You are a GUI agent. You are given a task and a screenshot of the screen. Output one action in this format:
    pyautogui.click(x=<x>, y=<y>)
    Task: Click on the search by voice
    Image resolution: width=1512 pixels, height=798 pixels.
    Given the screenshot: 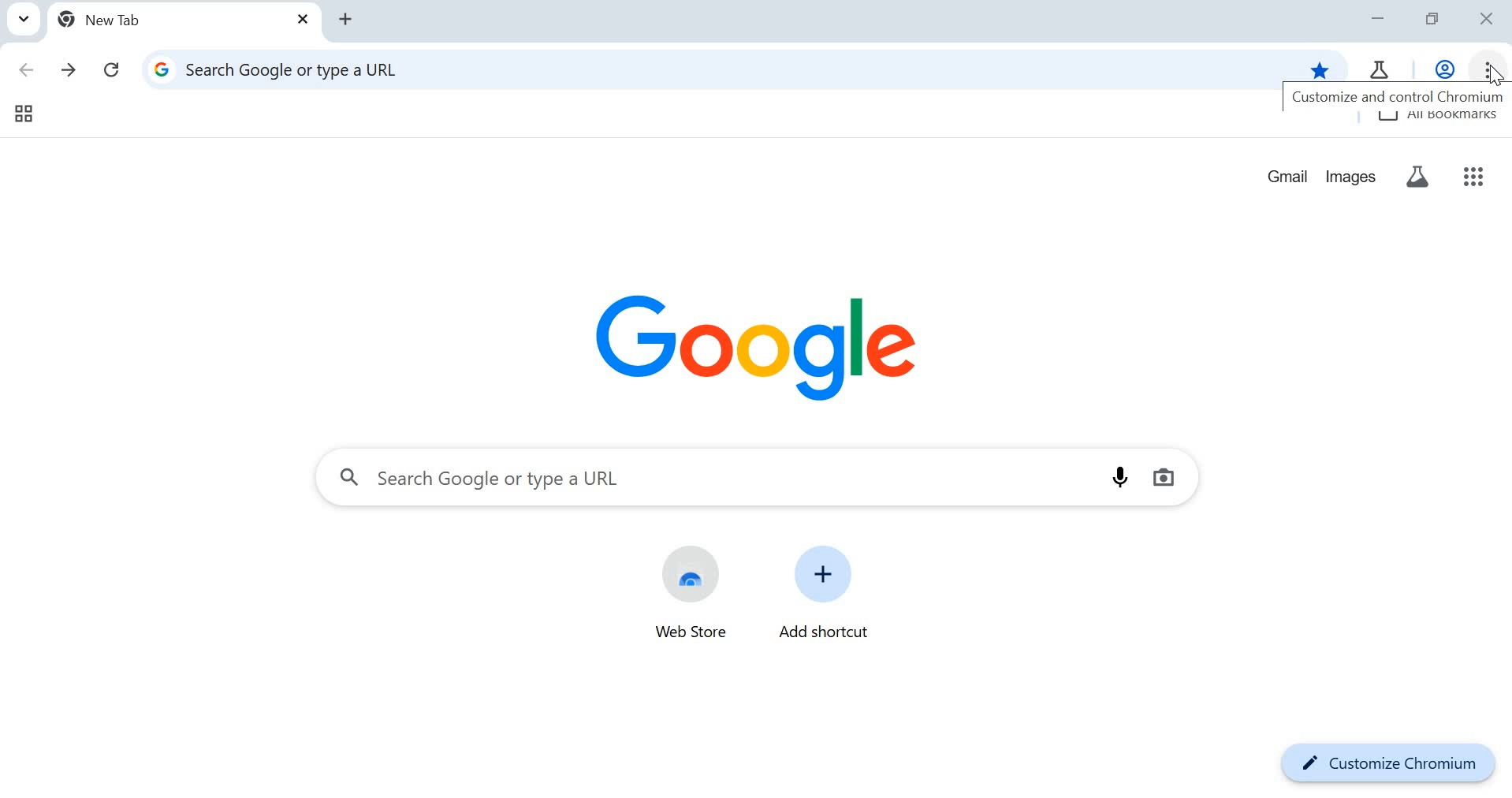 What is the action you would take?
    pyautogui.click(x=1120, y=478)
    